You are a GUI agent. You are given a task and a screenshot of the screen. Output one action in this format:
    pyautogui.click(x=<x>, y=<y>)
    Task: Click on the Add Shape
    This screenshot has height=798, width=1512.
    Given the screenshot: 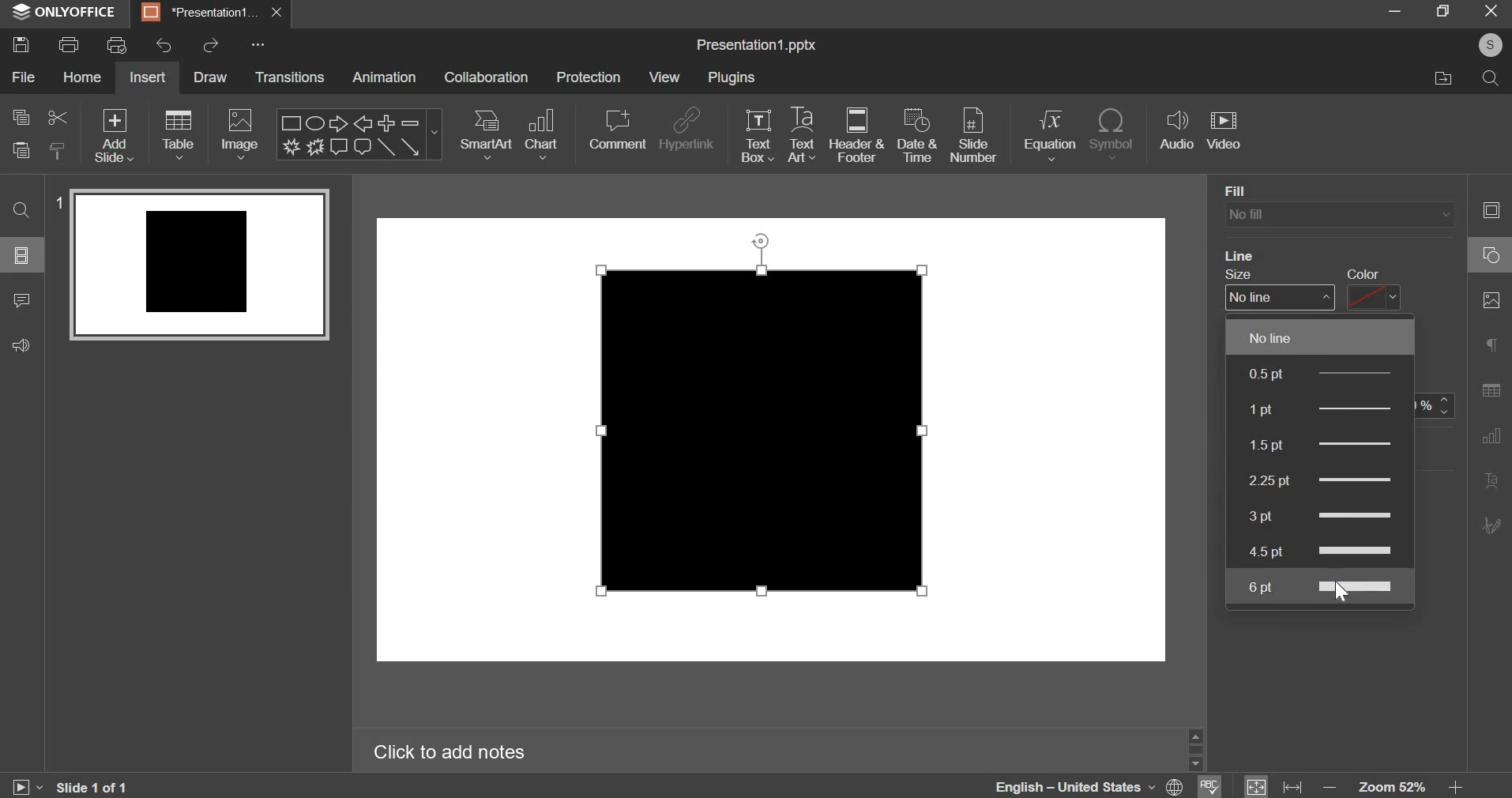 What is the action you would take?
    pyautogui.click(x=387, y=123)
    